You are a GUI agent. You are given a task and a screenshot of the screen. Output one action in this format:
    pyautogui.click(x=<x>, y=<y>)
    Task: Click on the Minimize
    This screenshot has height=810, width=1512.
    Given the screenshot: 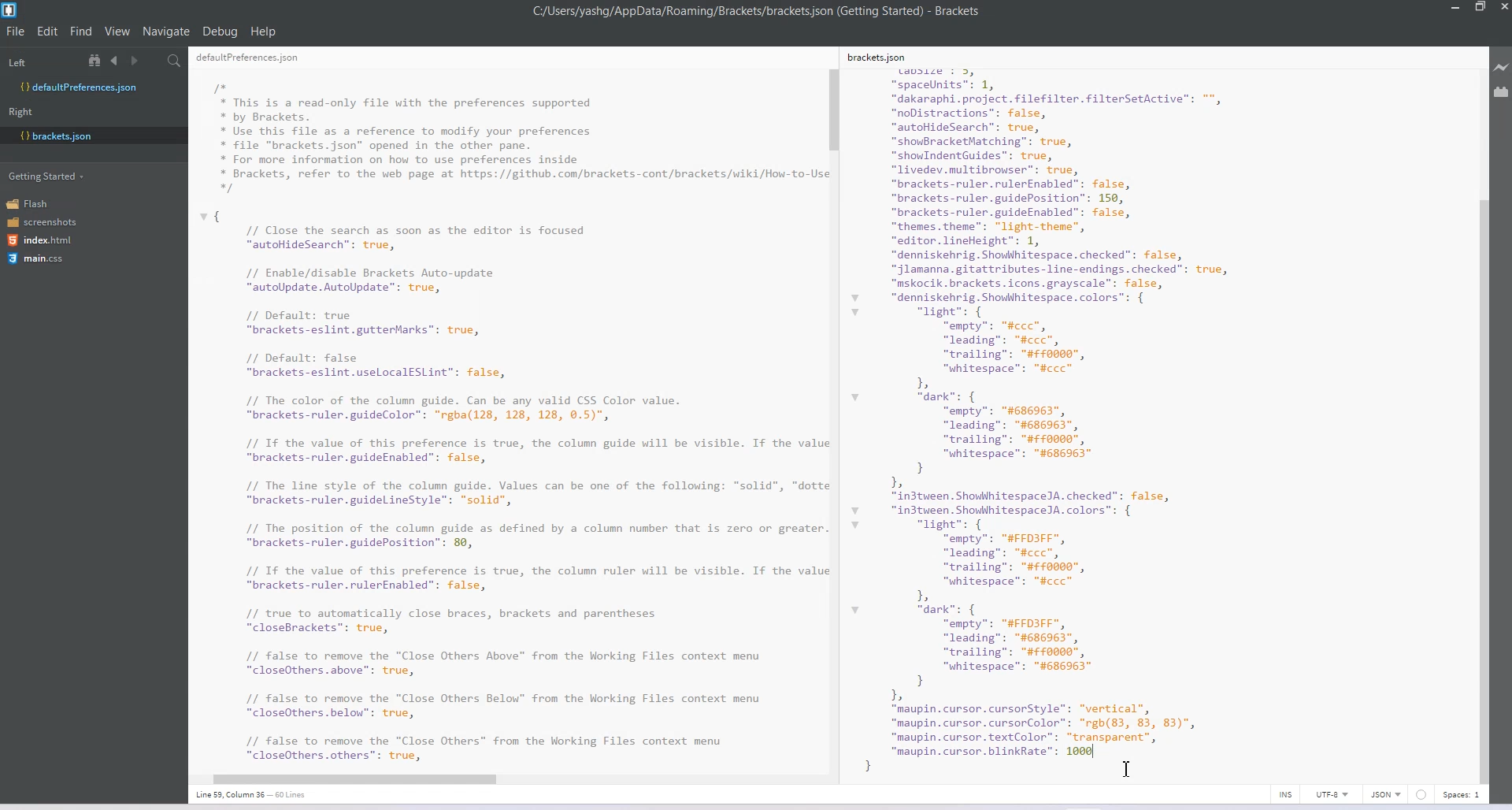 What is the action you would take?
    pyautogui.click(x=1457, y=8)
    